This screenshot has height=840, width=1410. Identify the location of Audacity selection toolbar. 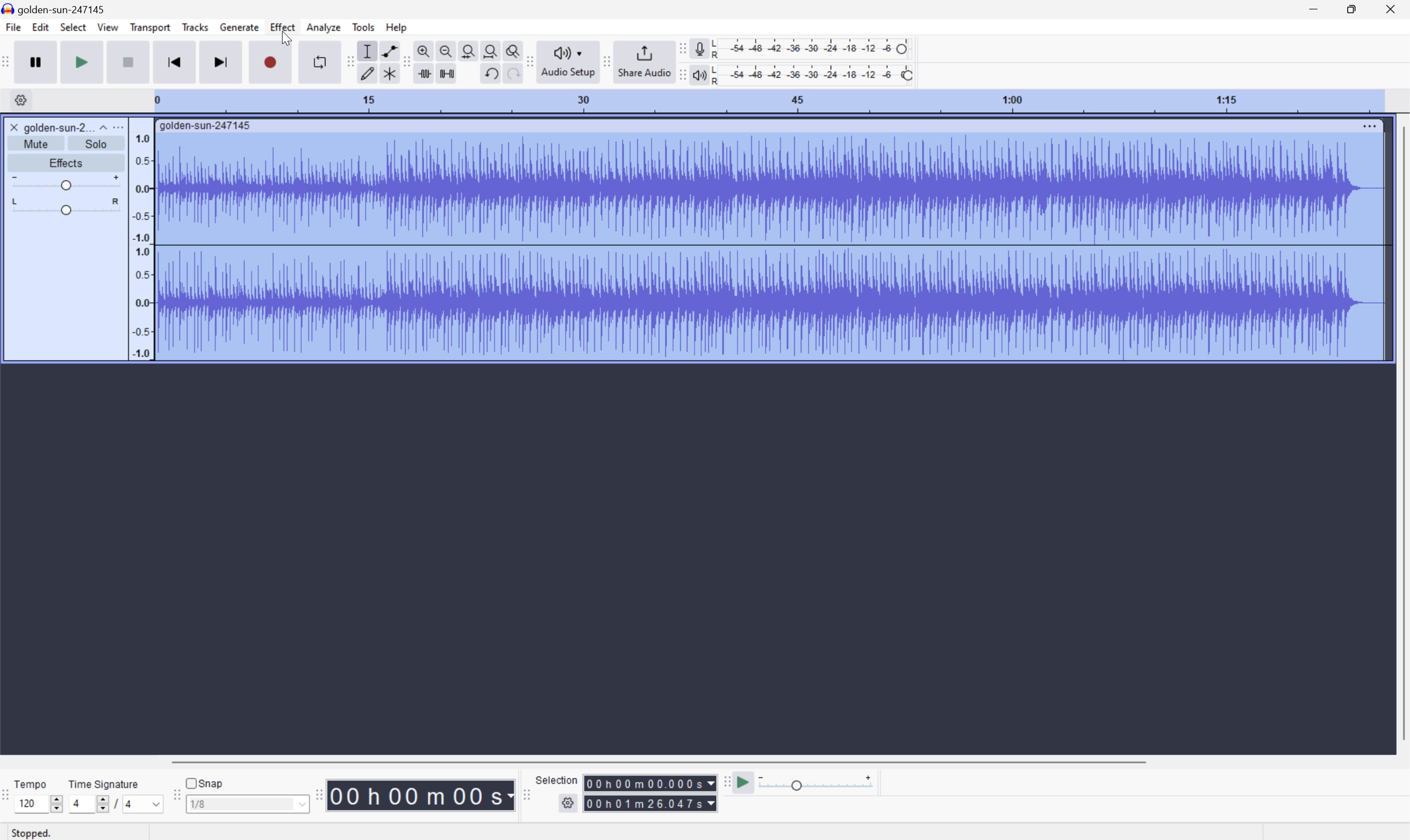
(526, 798).